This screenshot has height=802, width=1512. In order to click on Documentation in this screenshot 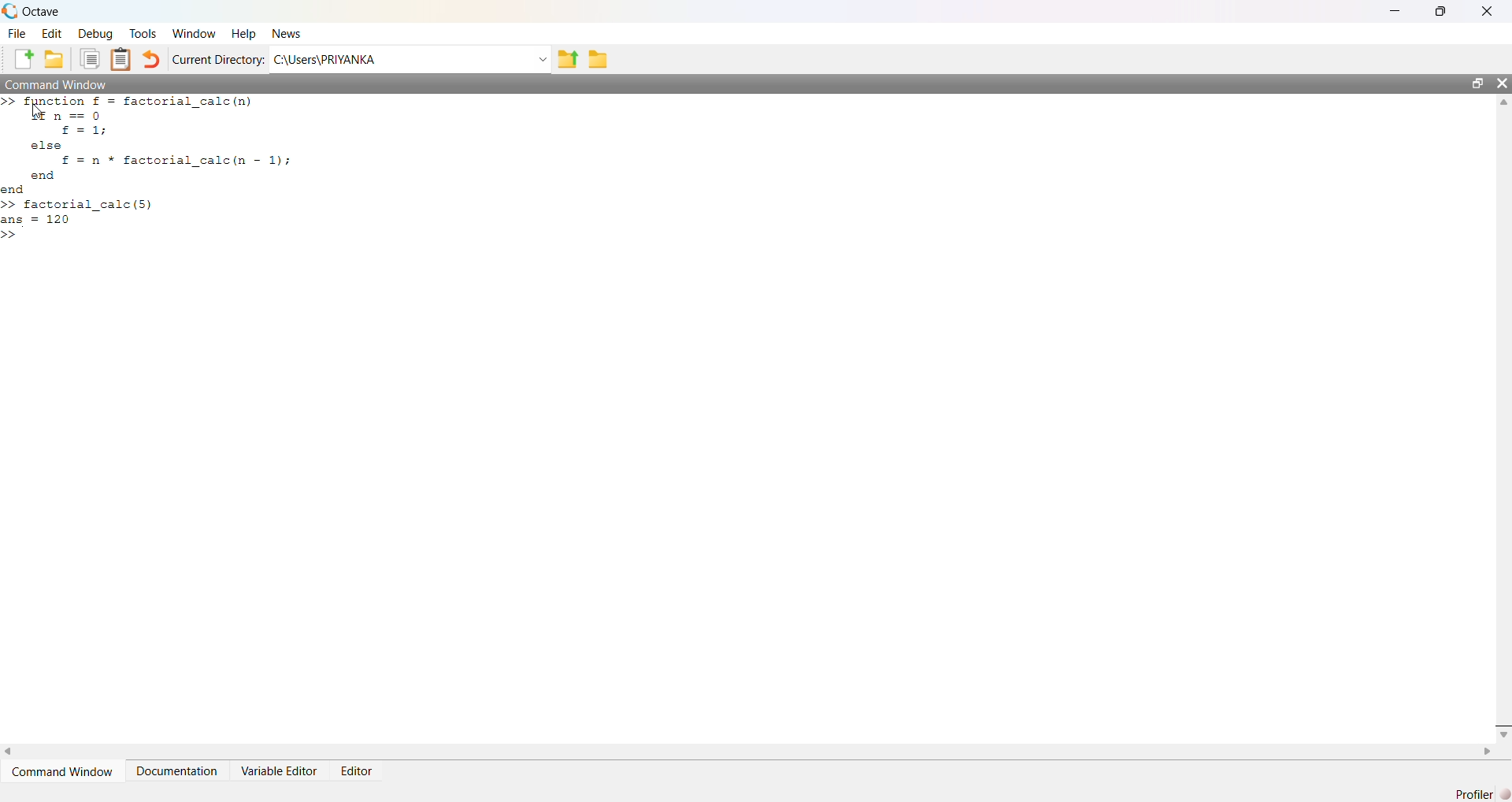, I will do `click(178, 771)`.